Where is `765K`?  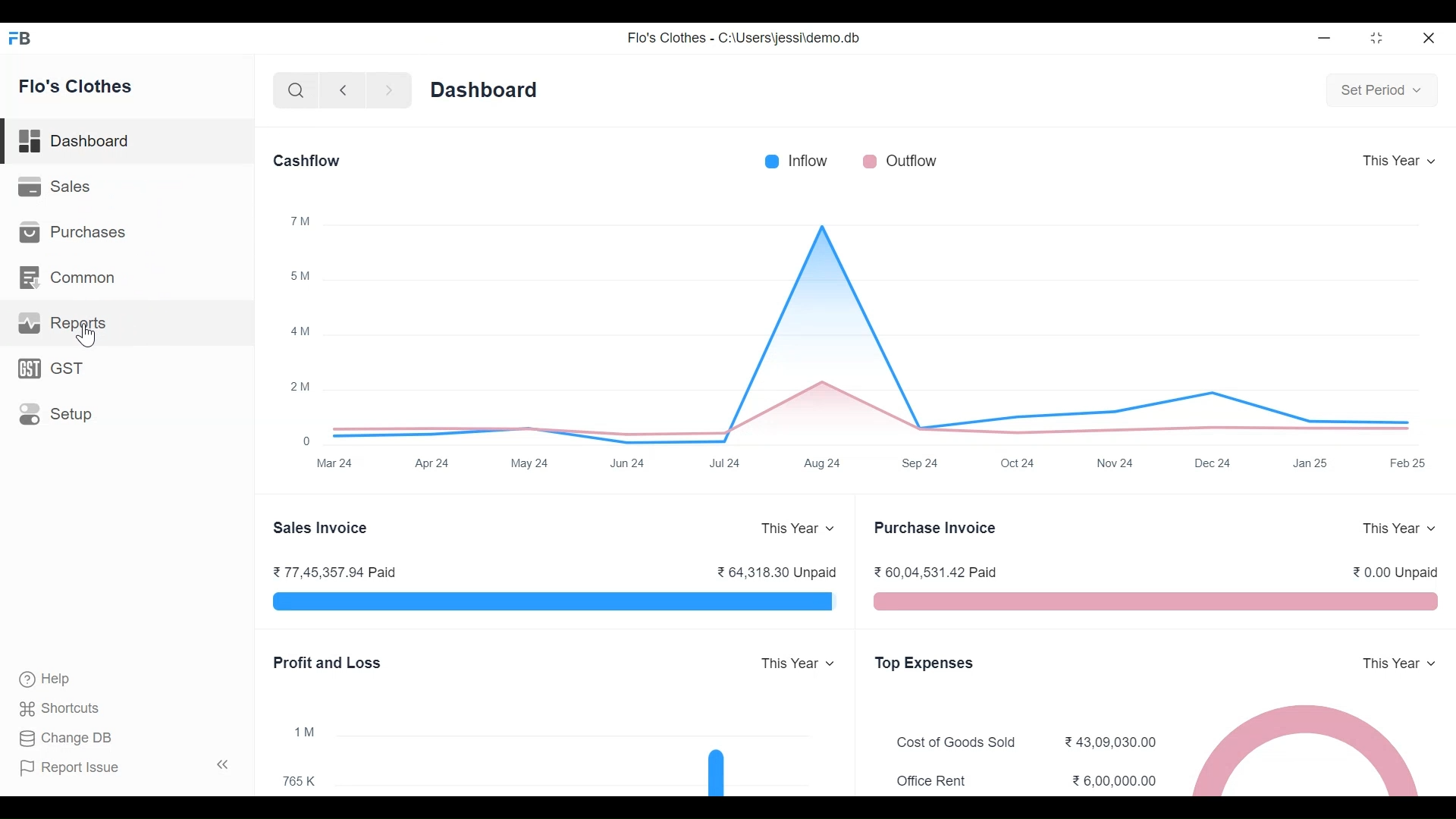 765K is located at coordinates (300, 782).